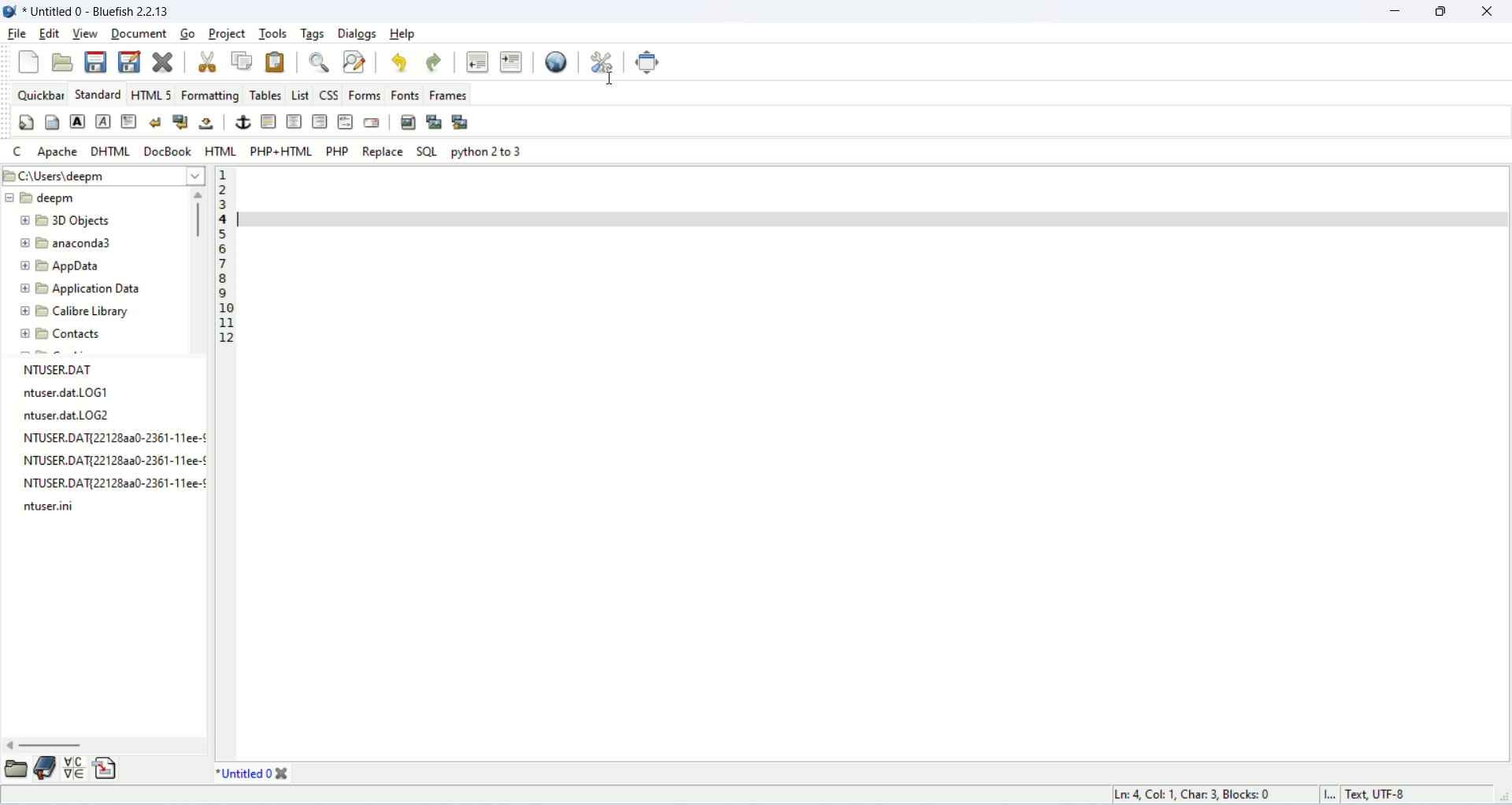 This screenshot has height=805, width=1512. What do you see at coordinates (330, 94) in the screenshot?
I see `CSS` at bounding box center [330, 94].